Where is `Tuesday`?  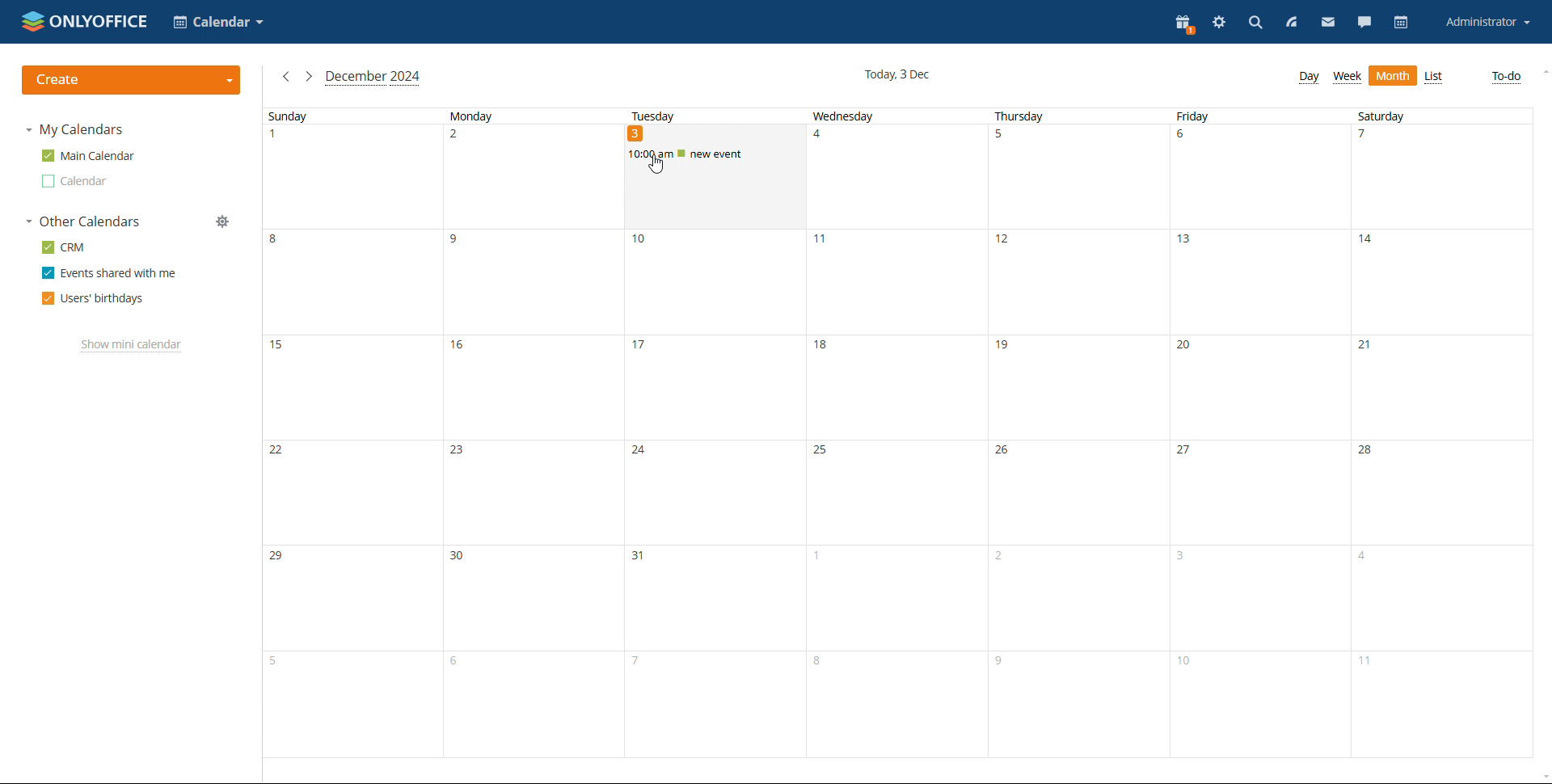 Tuesday is located at coordinates (711, 116).